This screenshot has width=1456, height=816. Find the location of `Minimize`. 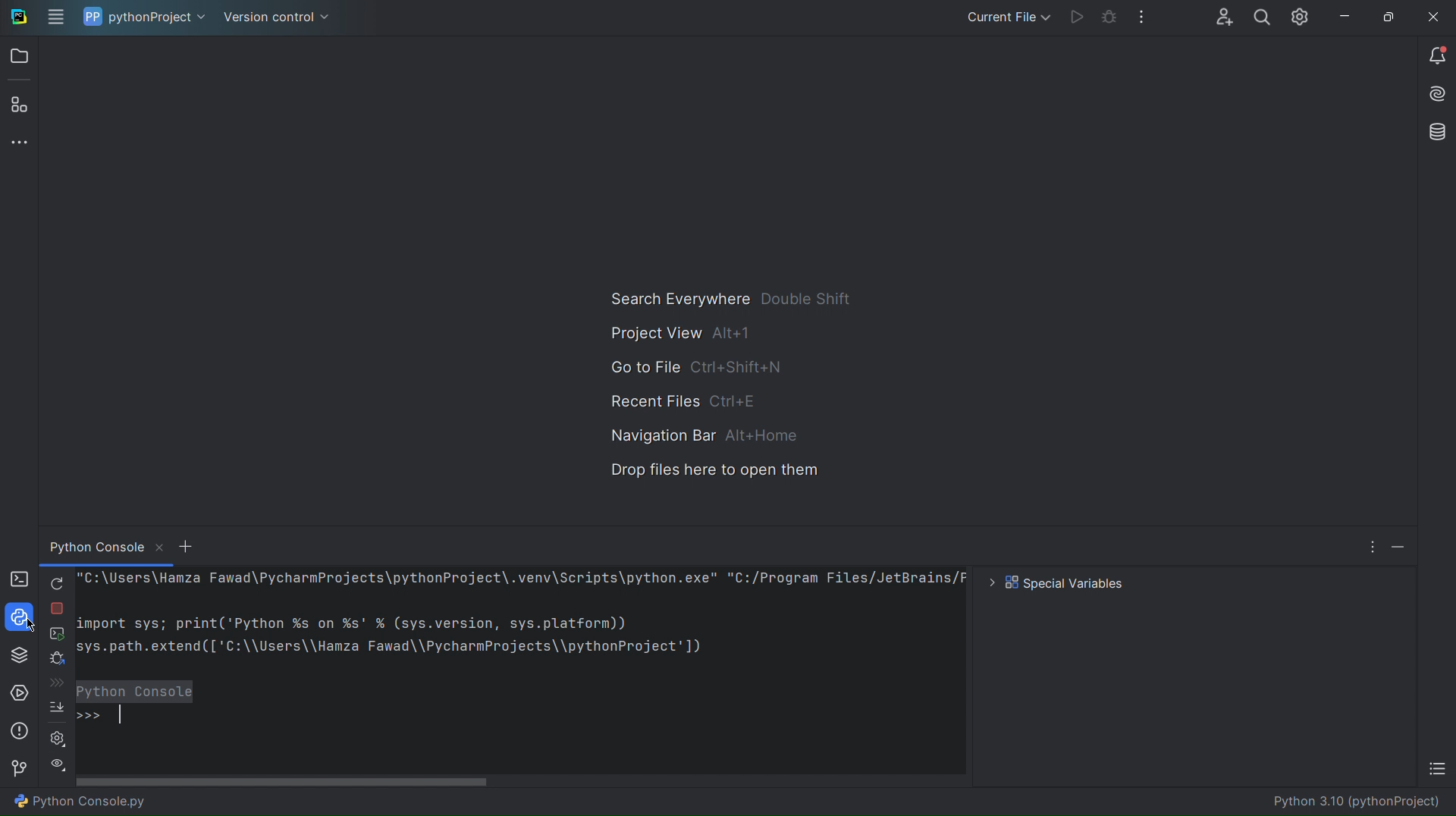

Minimize is located at coordinates (1345, 17).